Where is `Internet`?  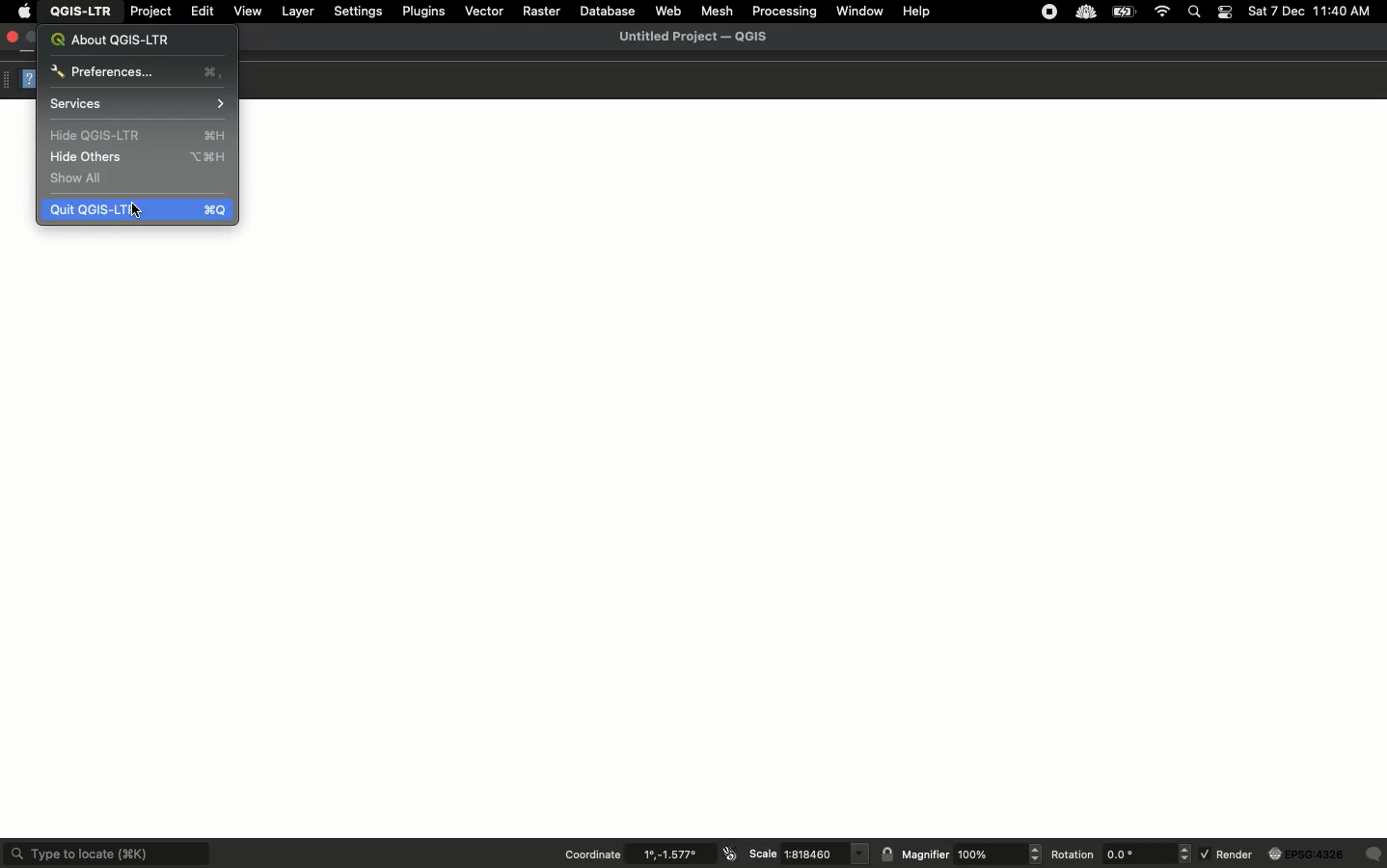 Internet is located at coordinates (1164, 13).